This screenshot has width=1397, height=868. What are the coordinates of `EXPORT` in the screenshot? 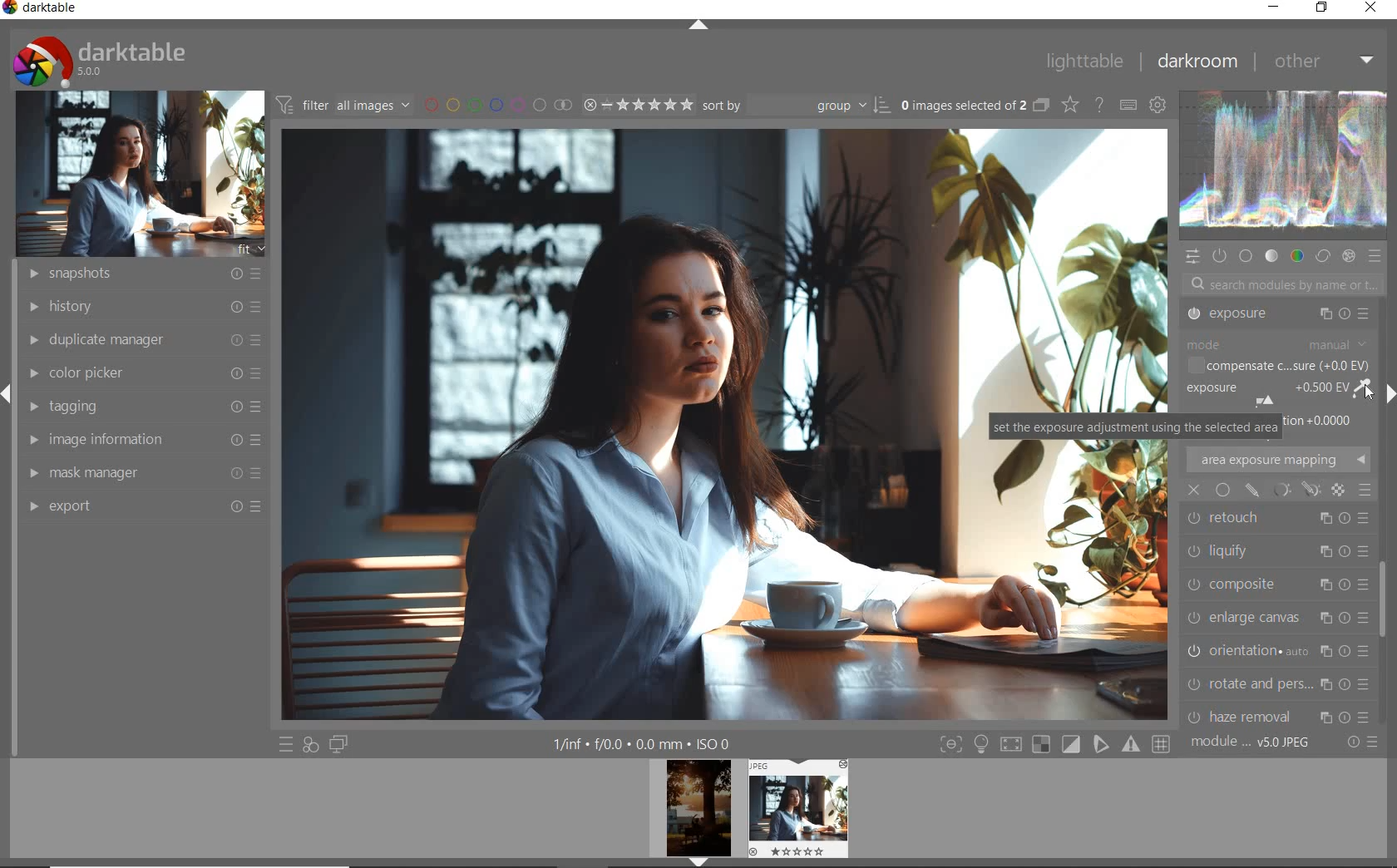 It's located at (146, 506).